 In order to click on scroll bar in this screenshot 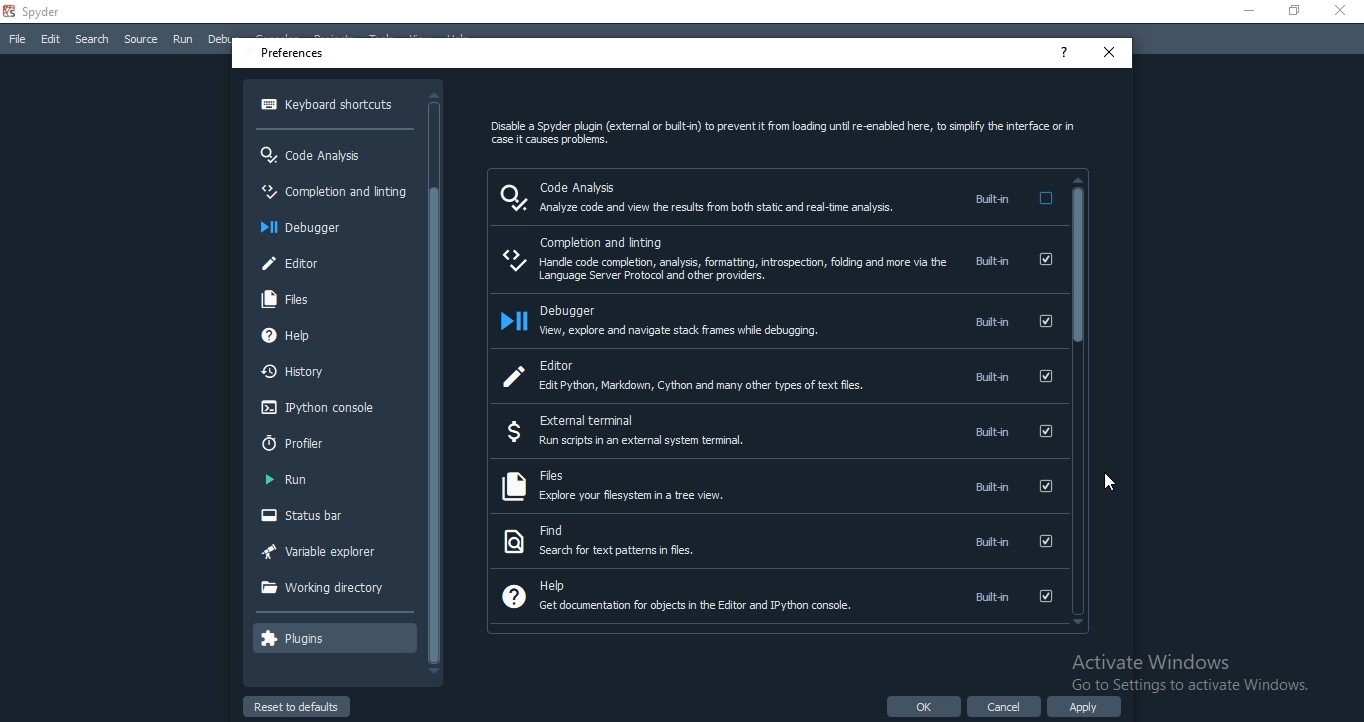, I will do `click(1078, 400)`.